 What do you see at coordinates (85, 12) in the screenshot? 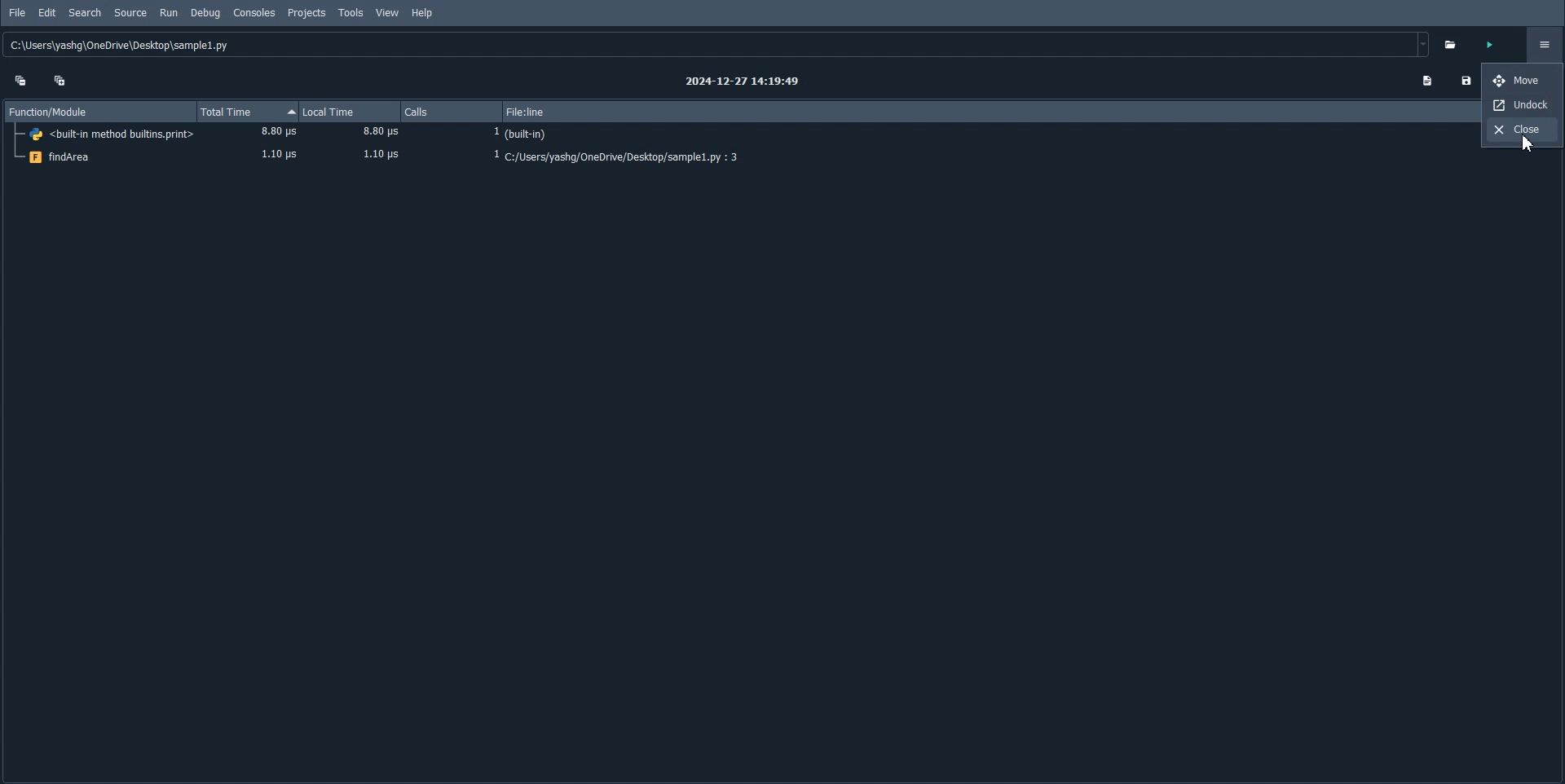
I see `Search` at bounding box center [85, 12].